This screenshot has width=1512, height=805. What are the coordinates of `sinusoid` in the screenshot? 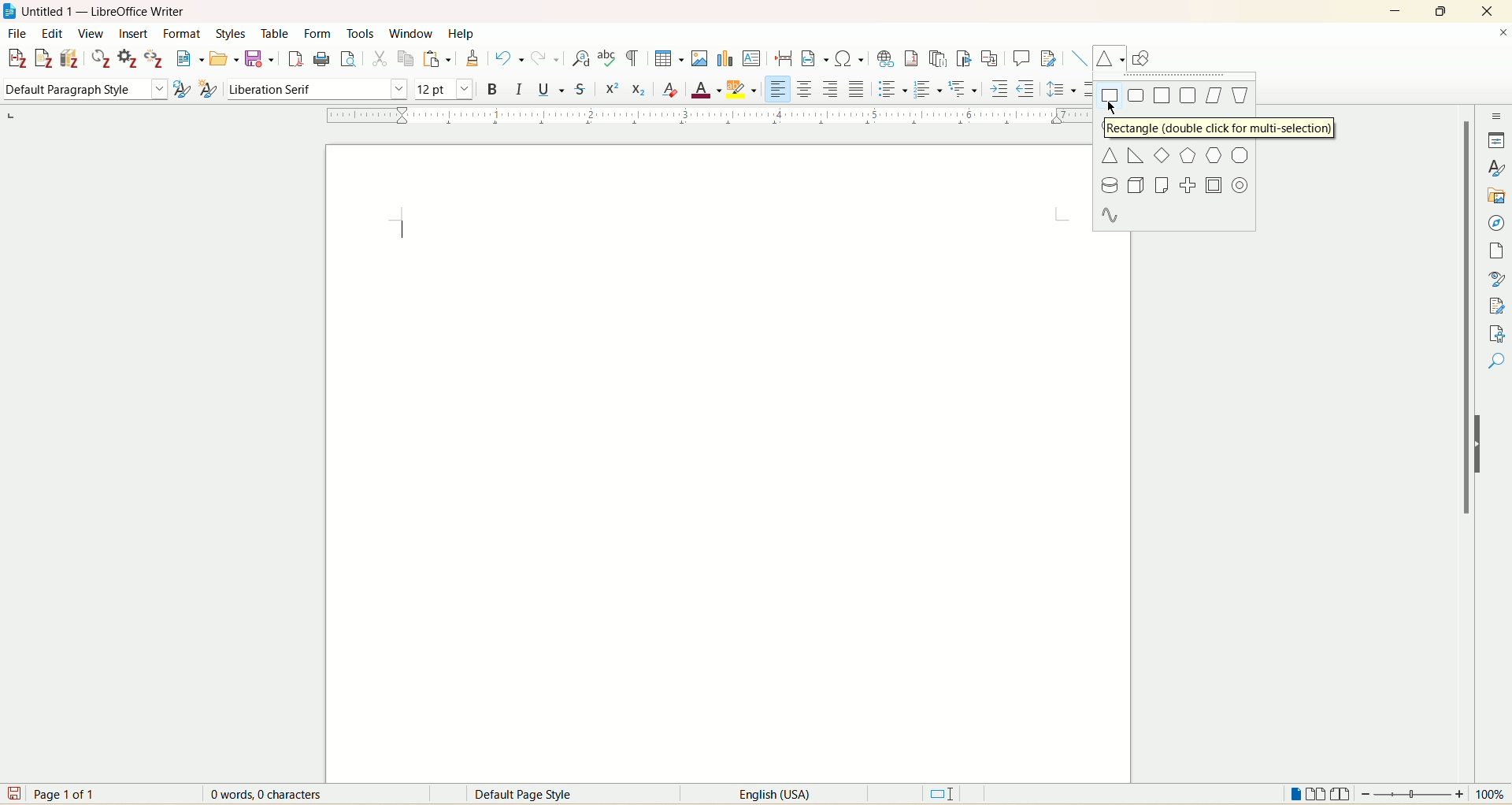 It's located at (1110, 213).